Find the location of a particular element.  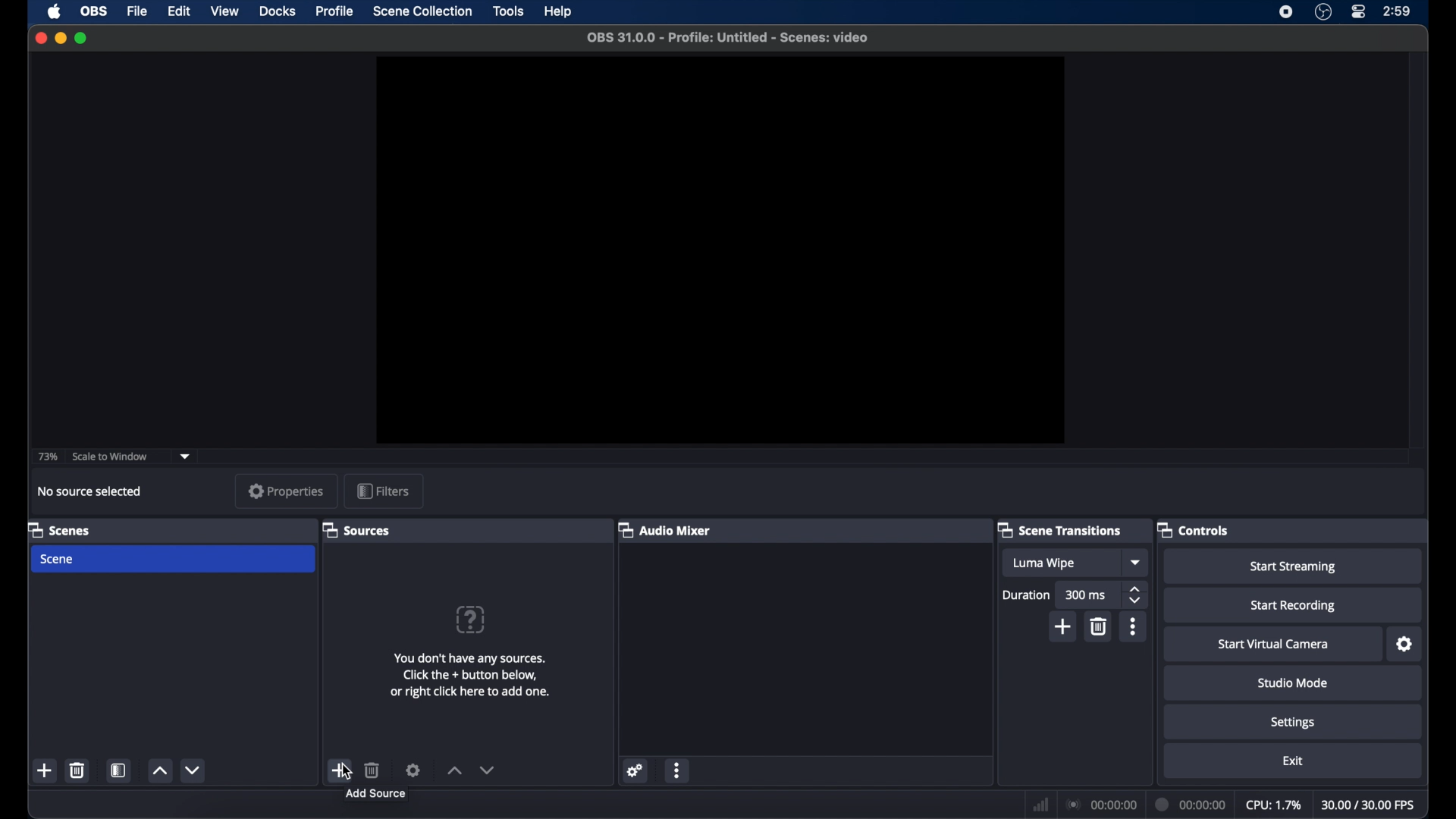

add source is located at coordinates (374, 794).